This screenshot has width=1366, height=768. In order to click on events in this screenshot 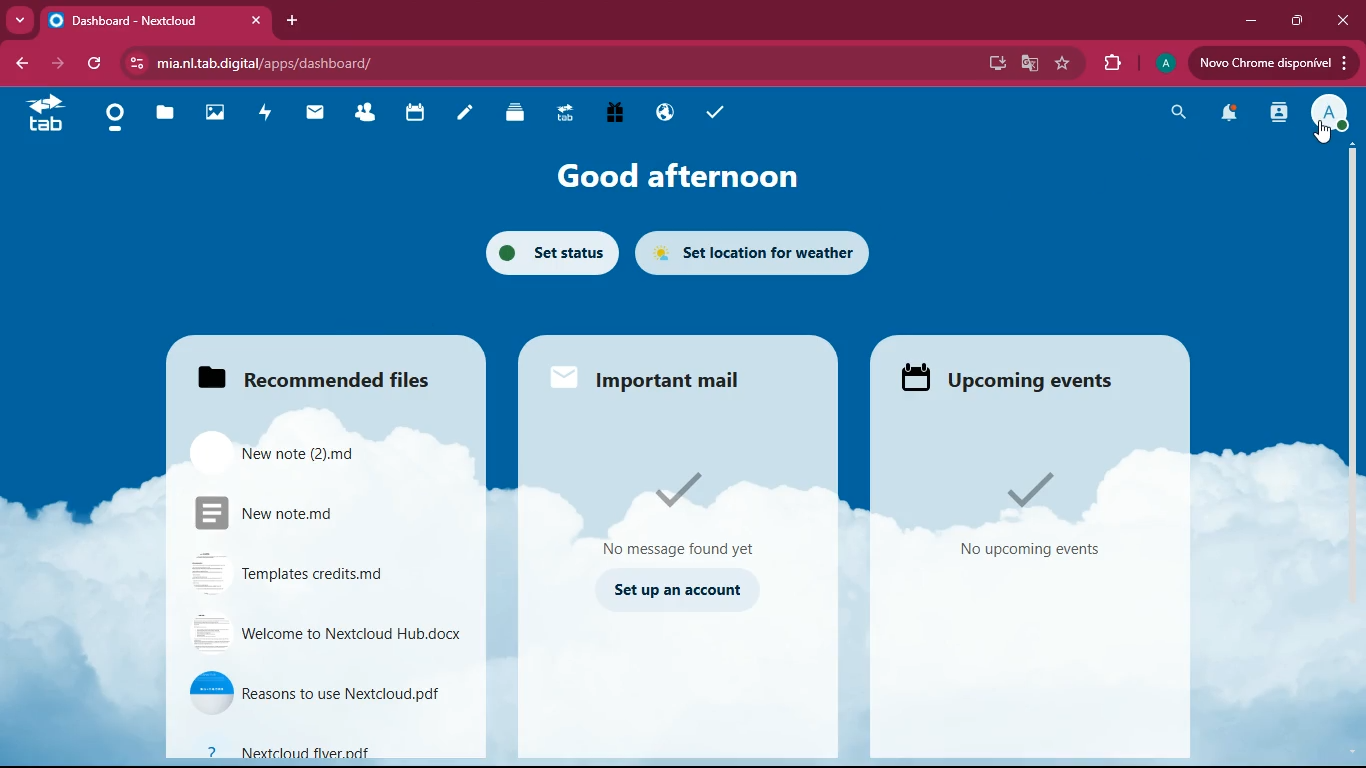, I will do `click(1027, 517)`.